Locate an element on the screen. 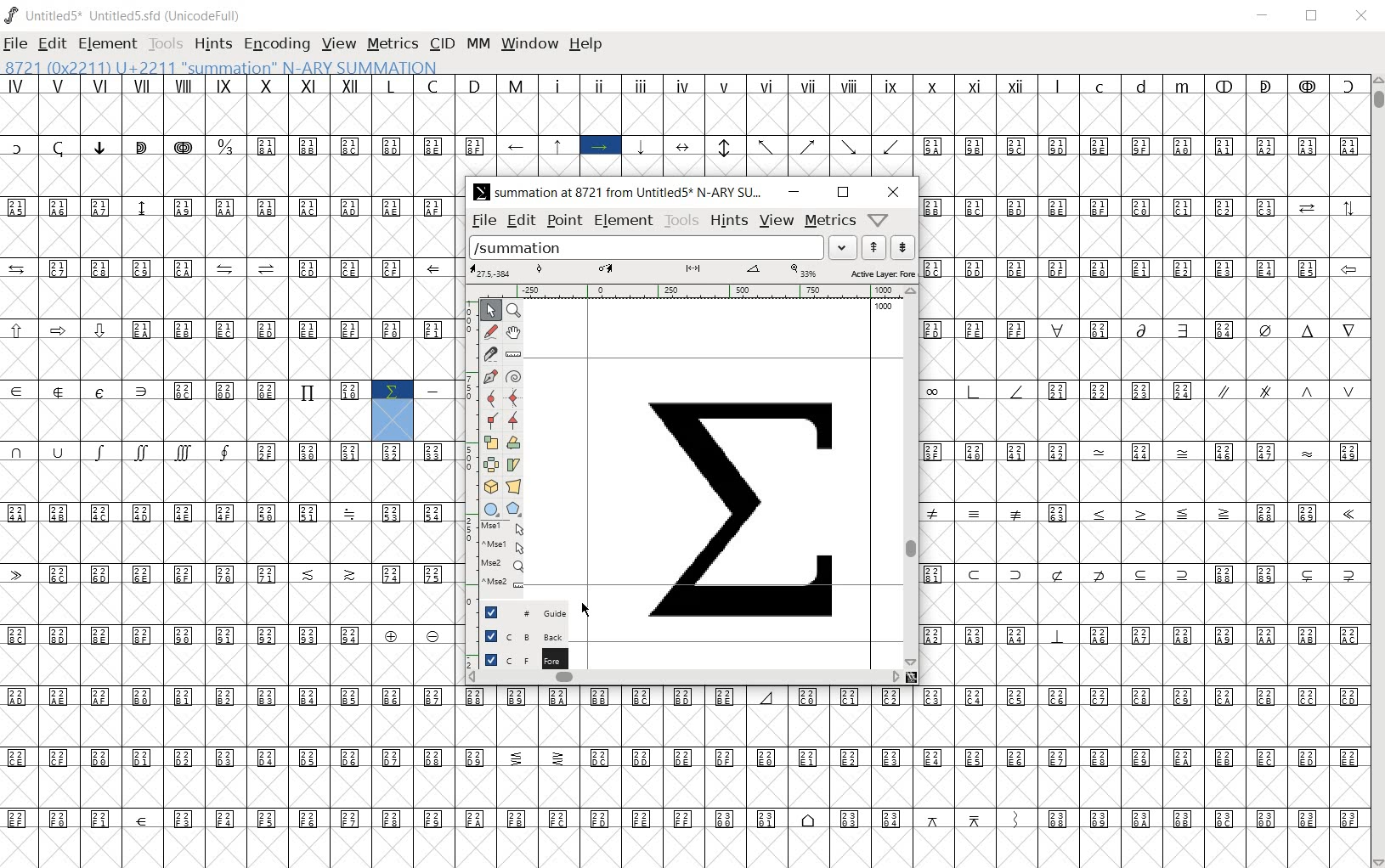 Image resolution: width=1385 pixels, height=868 pixels. draw a freehand curve is located at coordinates (490, 330).